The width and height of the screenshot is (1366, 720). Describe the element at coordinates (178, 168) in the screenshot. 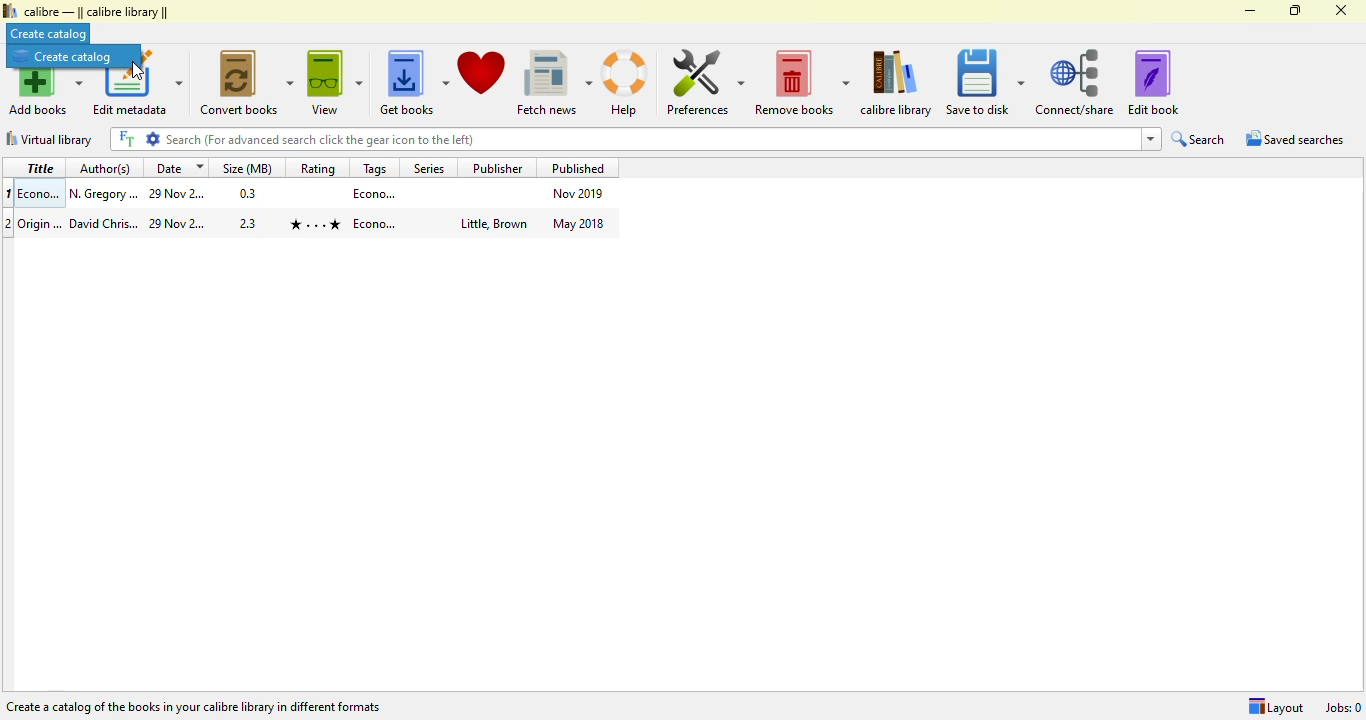

I see `date` at that location.